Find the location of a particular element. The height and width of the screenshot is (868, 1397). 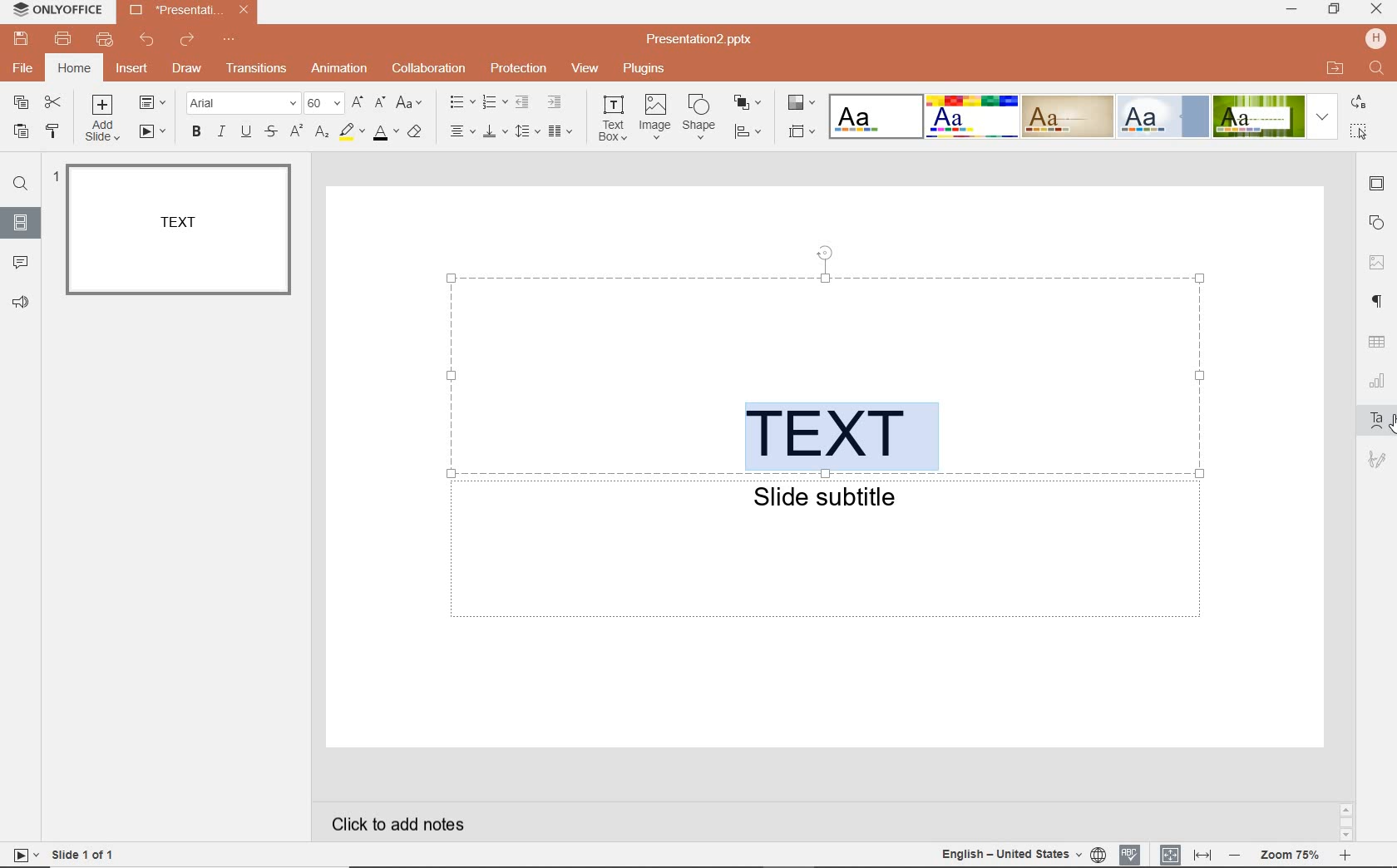

ZOOM is located at coordinates (1288, 856).